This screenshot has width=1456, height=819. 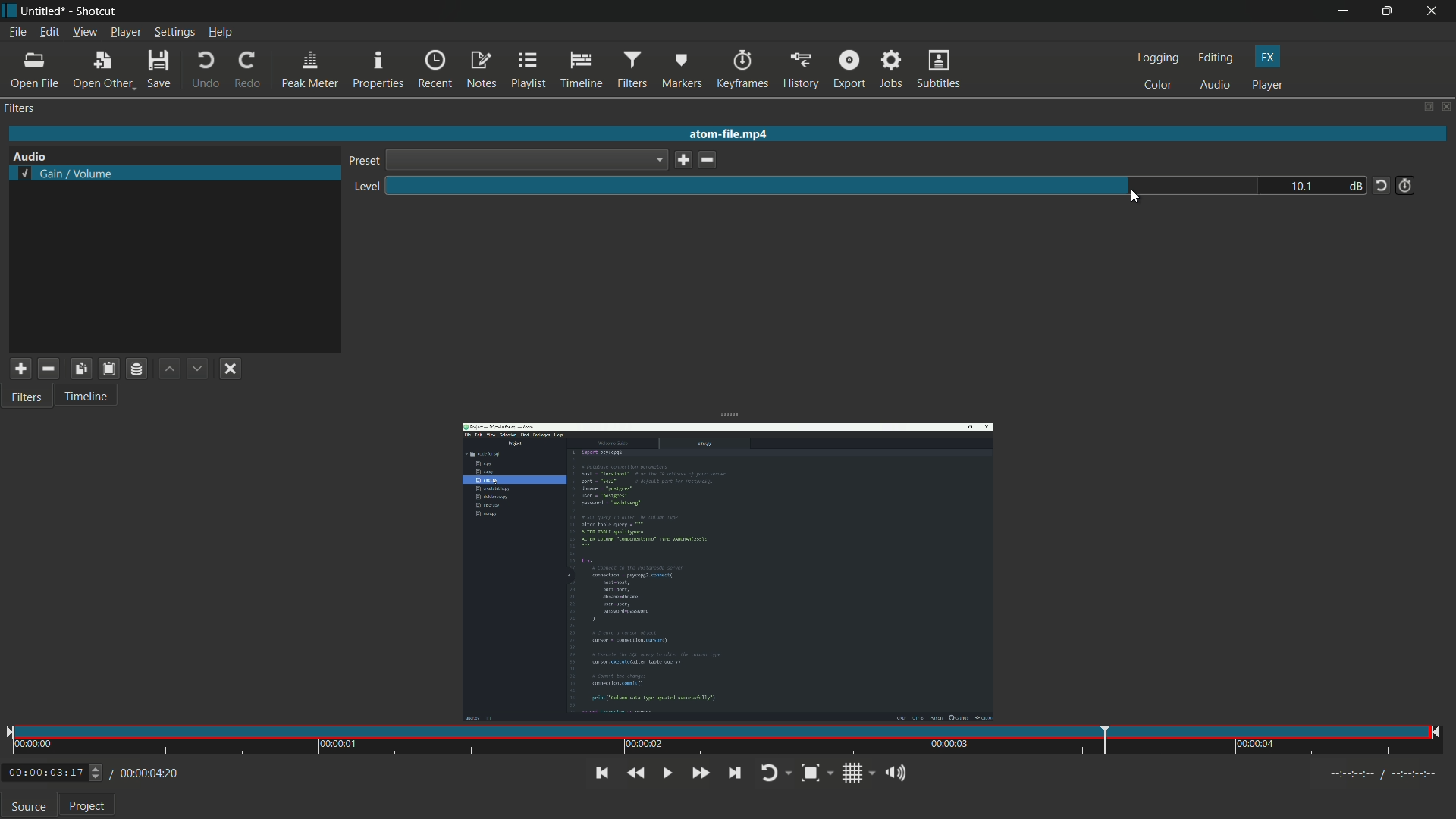 What do you see at coordinates (741, 70) in the screenshot?
I see `keyframes` at bounding box center [741, 70].